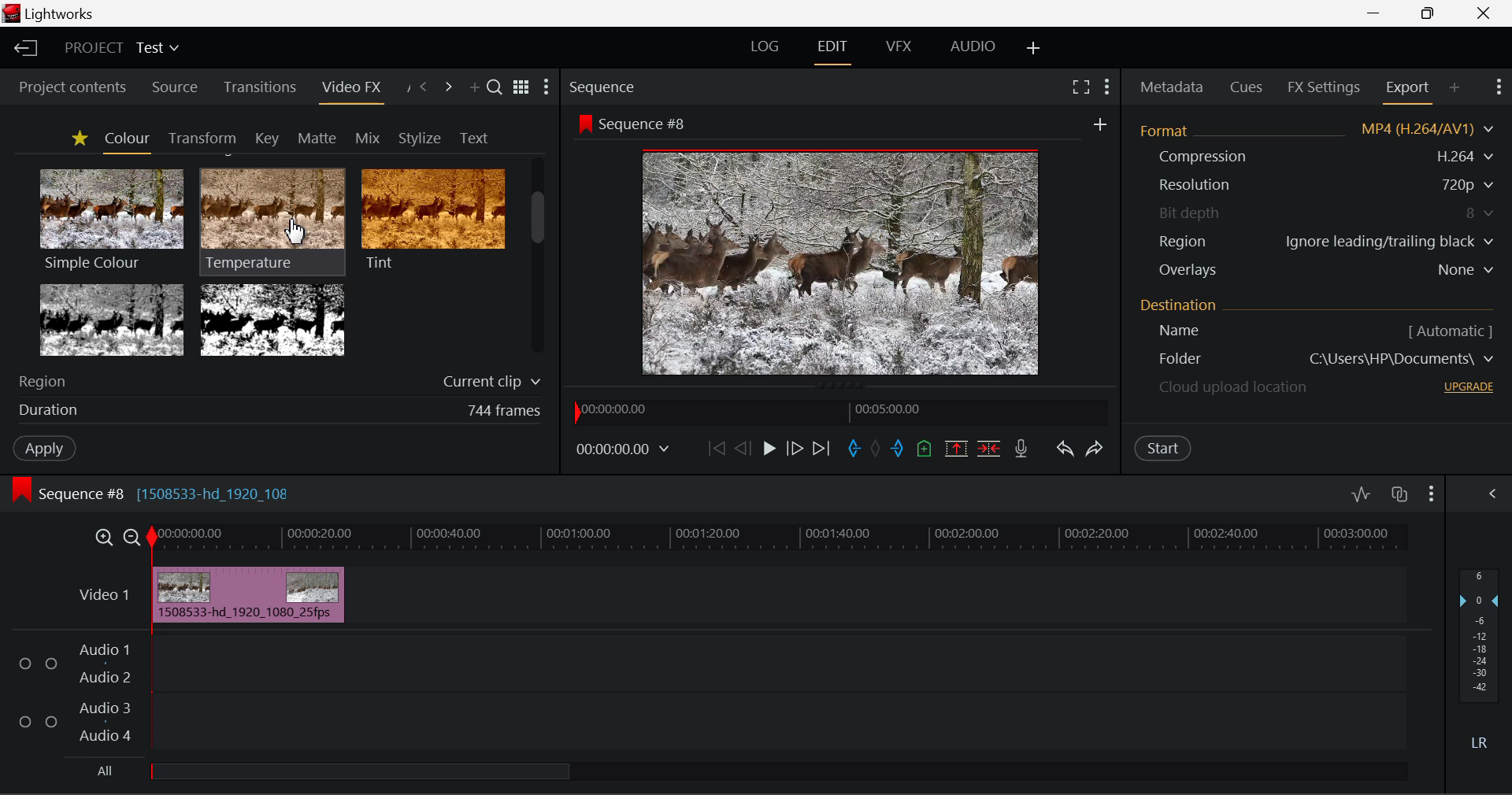 This screenshot has height=795, width=1512. What do you see at coordinates (1187, 270) in the screenshot?
I see `Overlays` at bounding box center [1187, 270].